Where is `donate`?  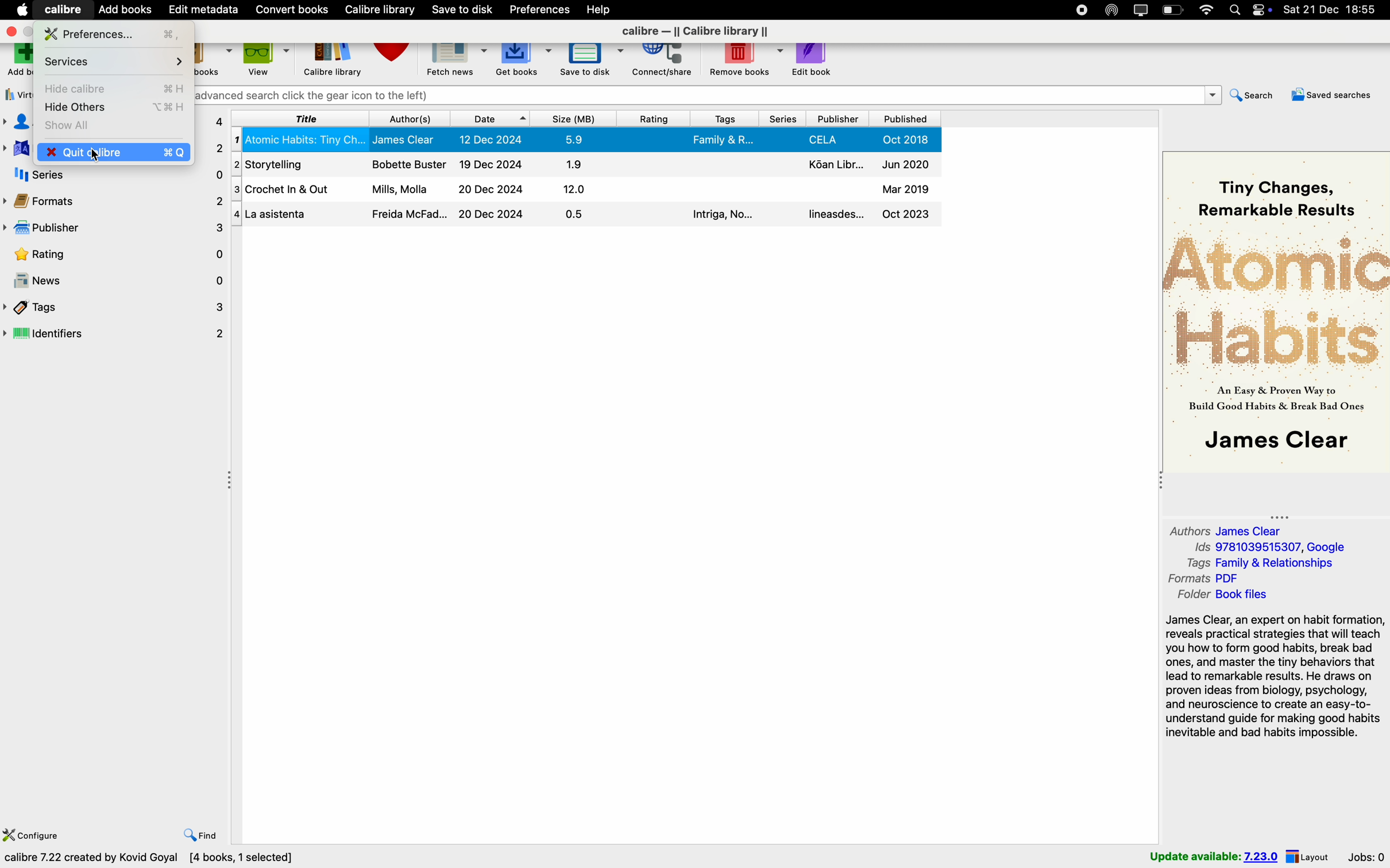
donate is located at coordinates (395, 60).